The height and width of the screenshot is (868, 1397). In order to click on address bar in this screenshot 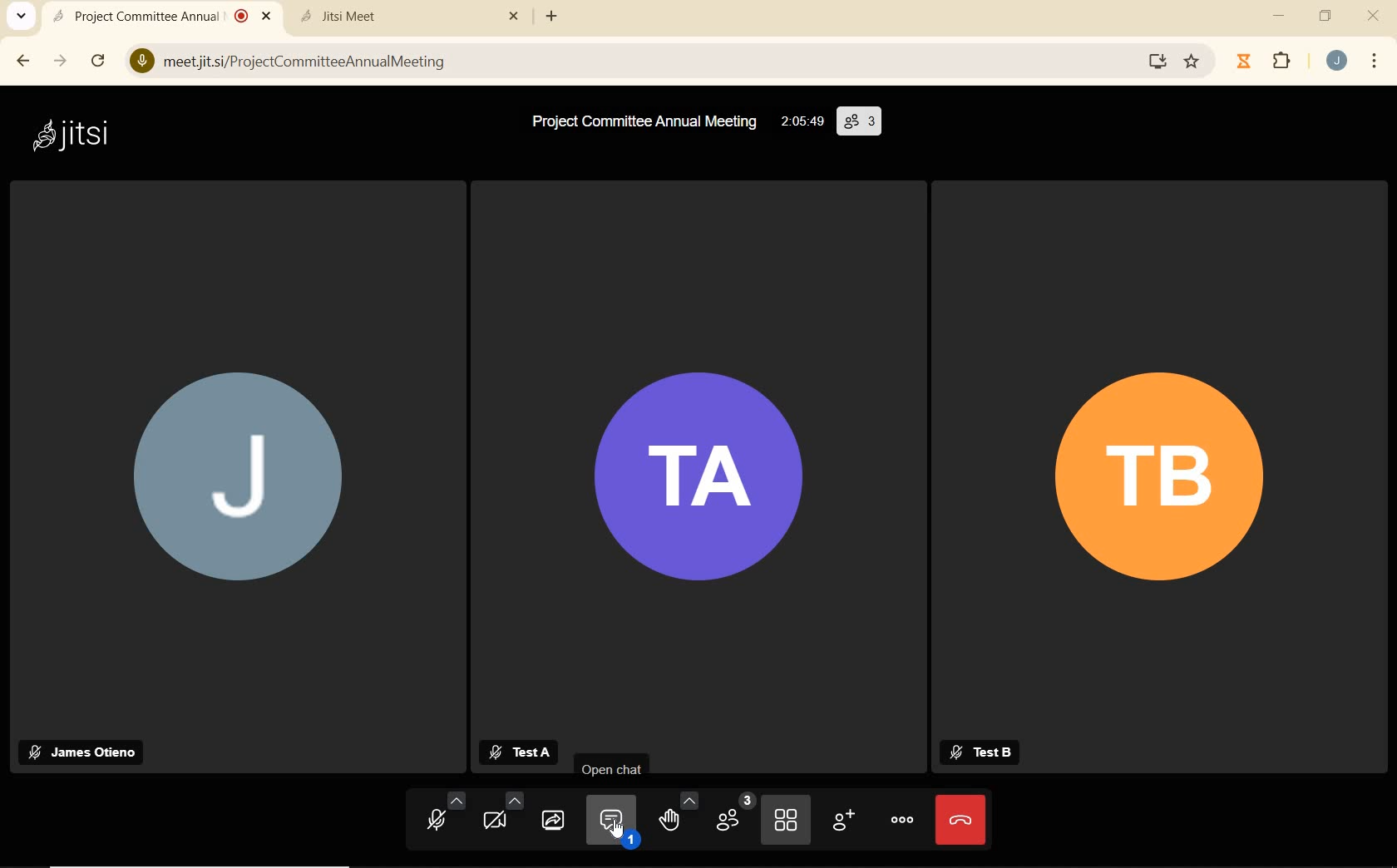, I will do `click(644, 62)`.